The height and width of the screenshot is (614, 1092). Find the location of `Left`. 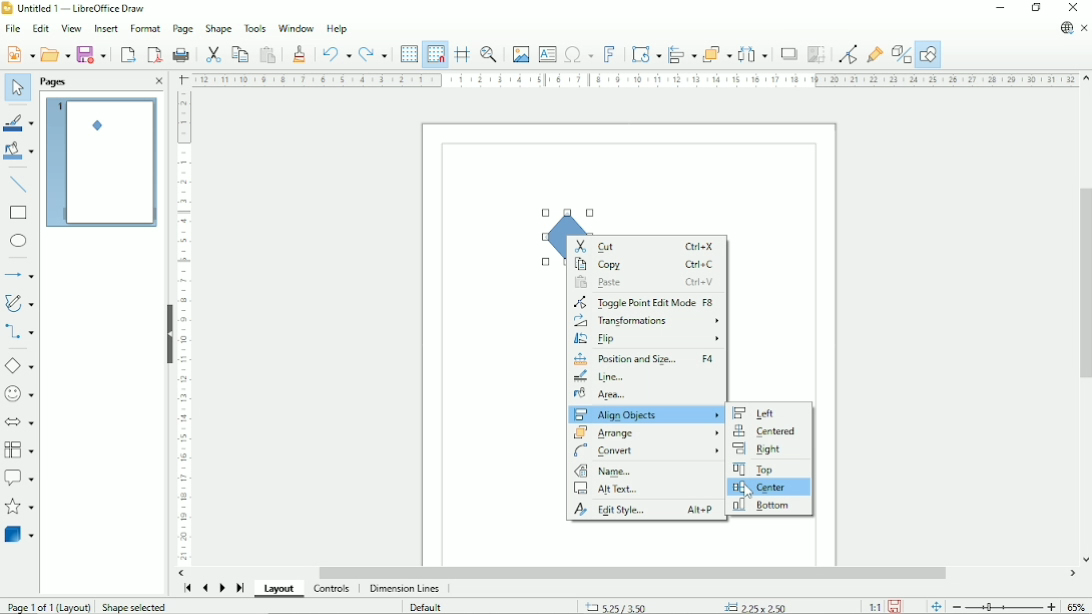

Left is located at coordinates (757, 413).